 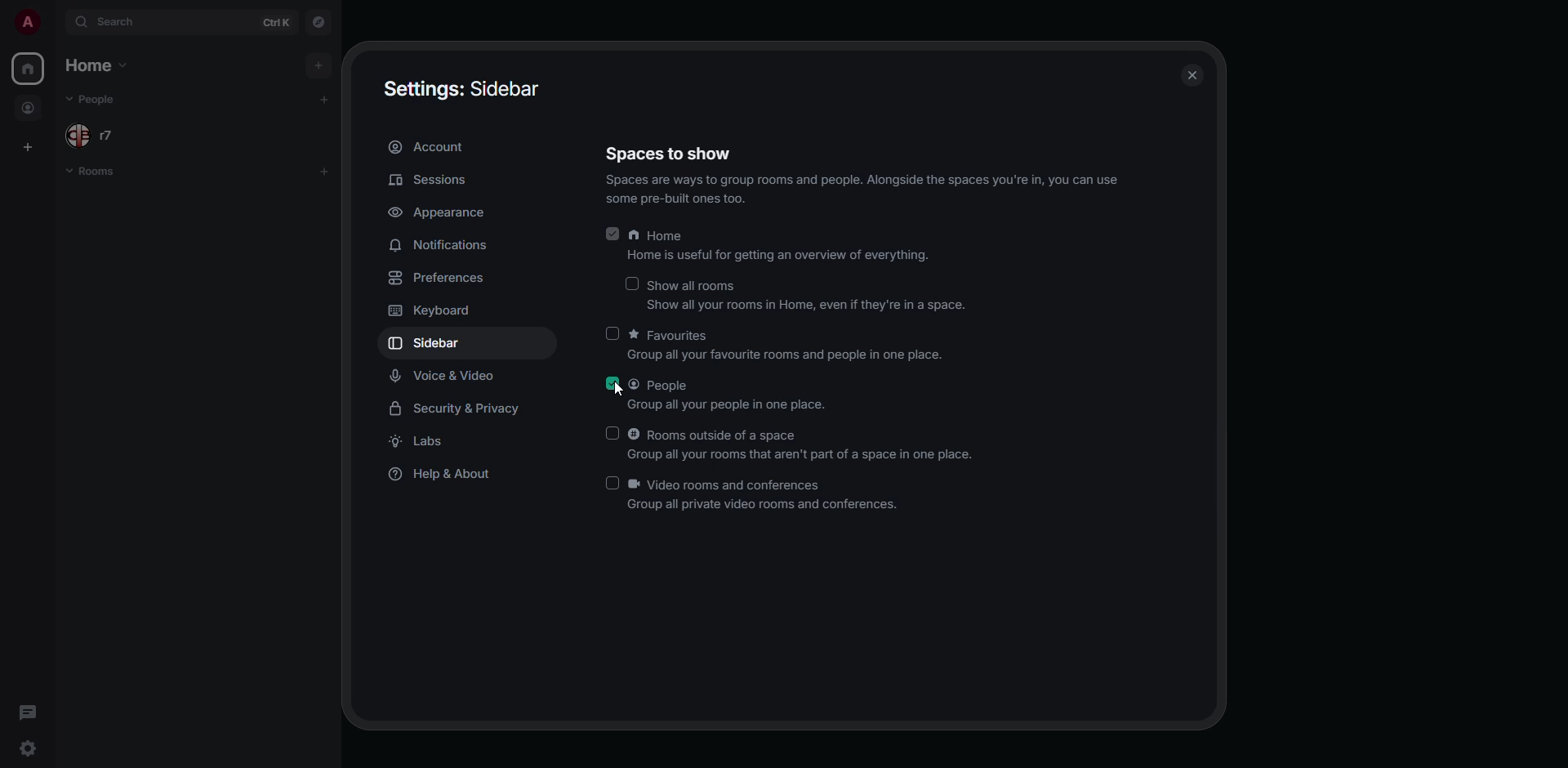 I want to click on people, so click(x=100, y=99).